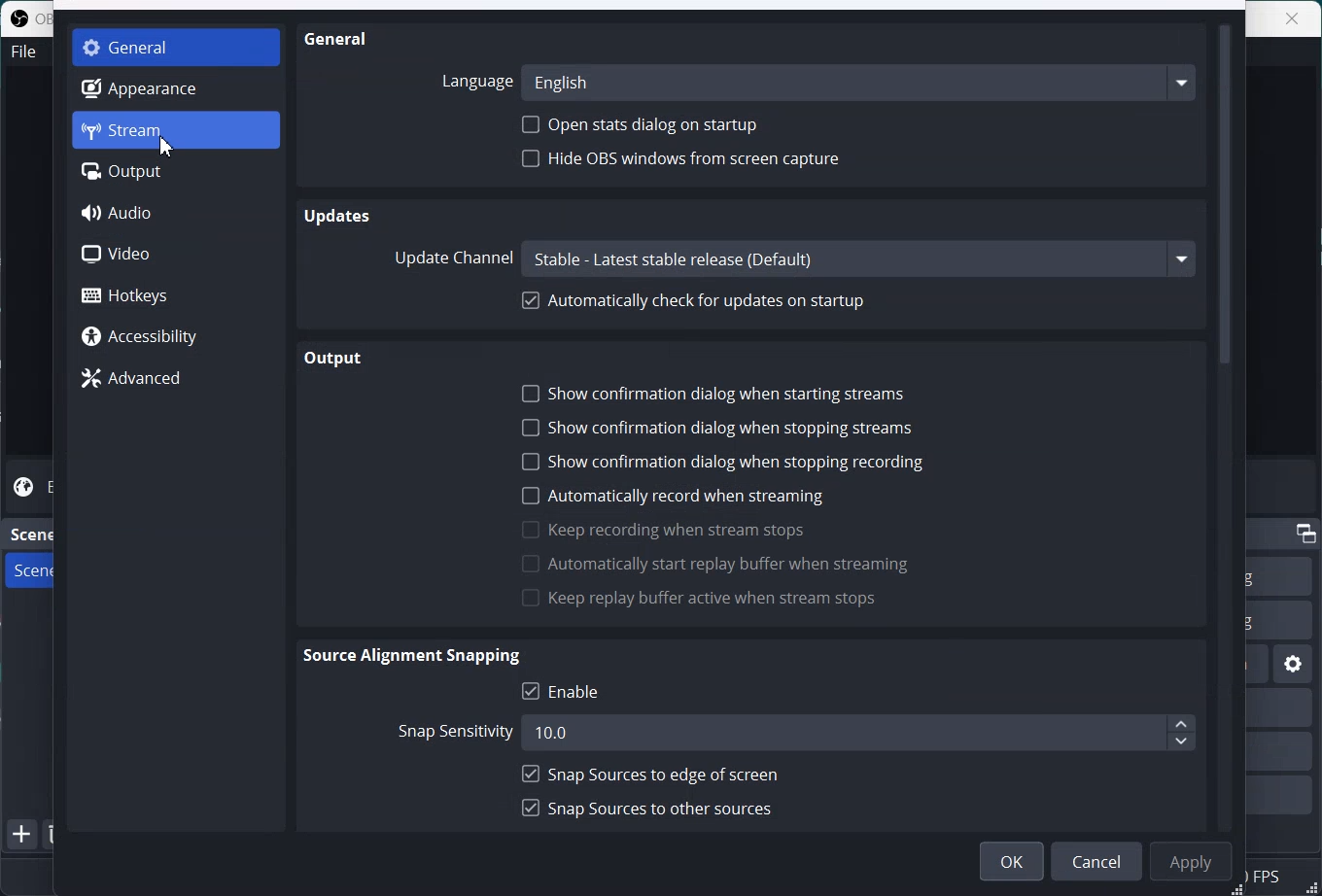 Image resolution: width=1322 pixels, height=896 pixels. Describe the element at coordinates (336, 39) in the screenshot. I see `General` at that location.